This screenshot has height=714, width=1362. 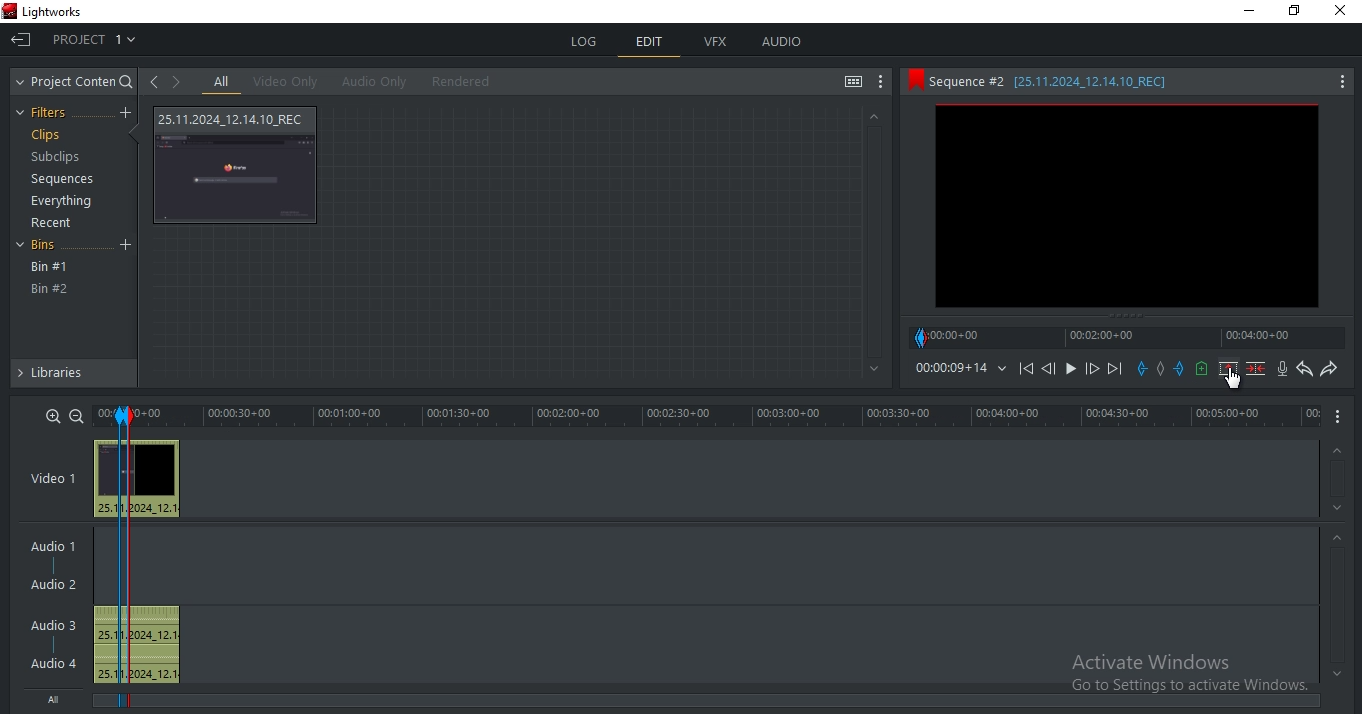 What do you see at coordinates (9, 10) in the screenshot?
I see `Lightworks logo` at bounding box center [9, 10].